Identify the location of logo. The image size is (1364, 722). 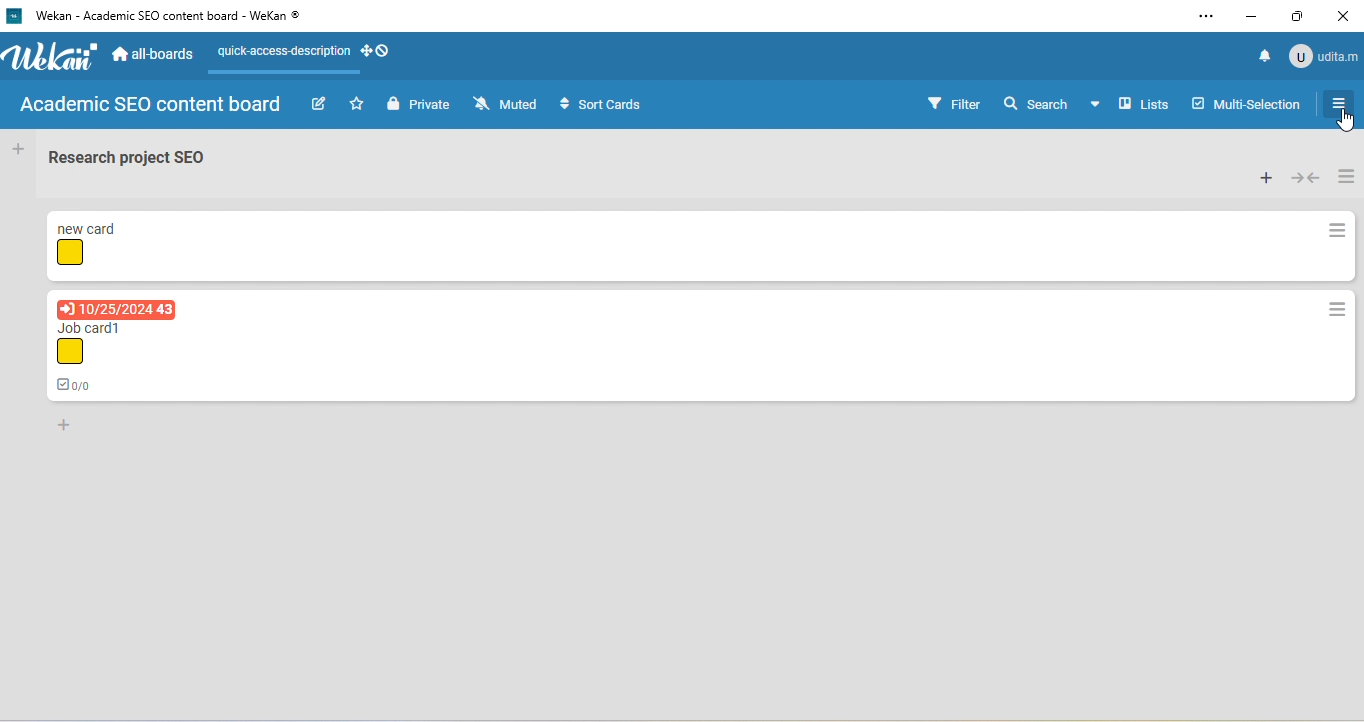
(55, 57).